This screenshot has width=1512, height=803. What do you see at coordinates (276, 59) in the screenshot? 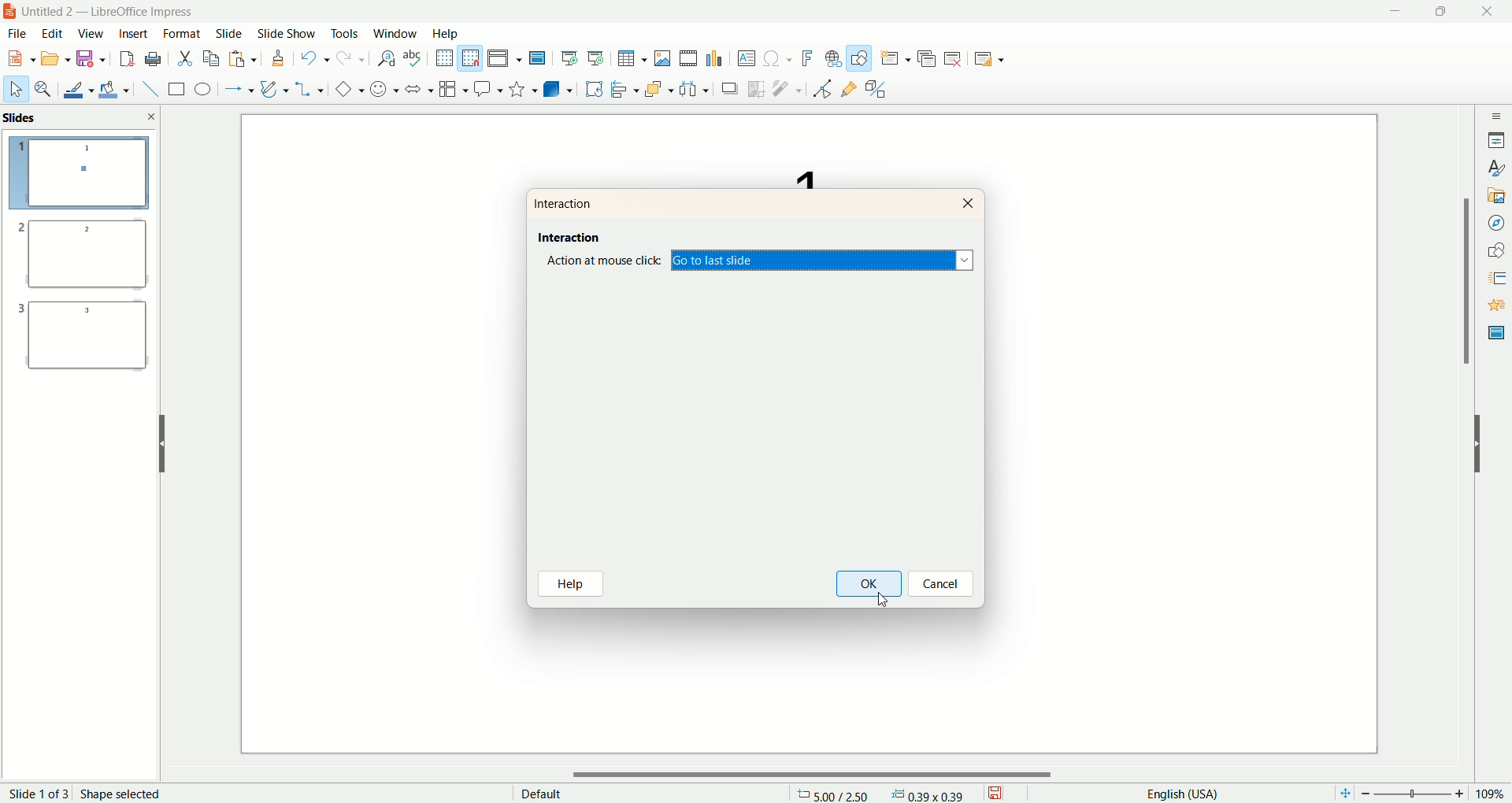
I see `clone formatting` at bounding box center [276, 59].